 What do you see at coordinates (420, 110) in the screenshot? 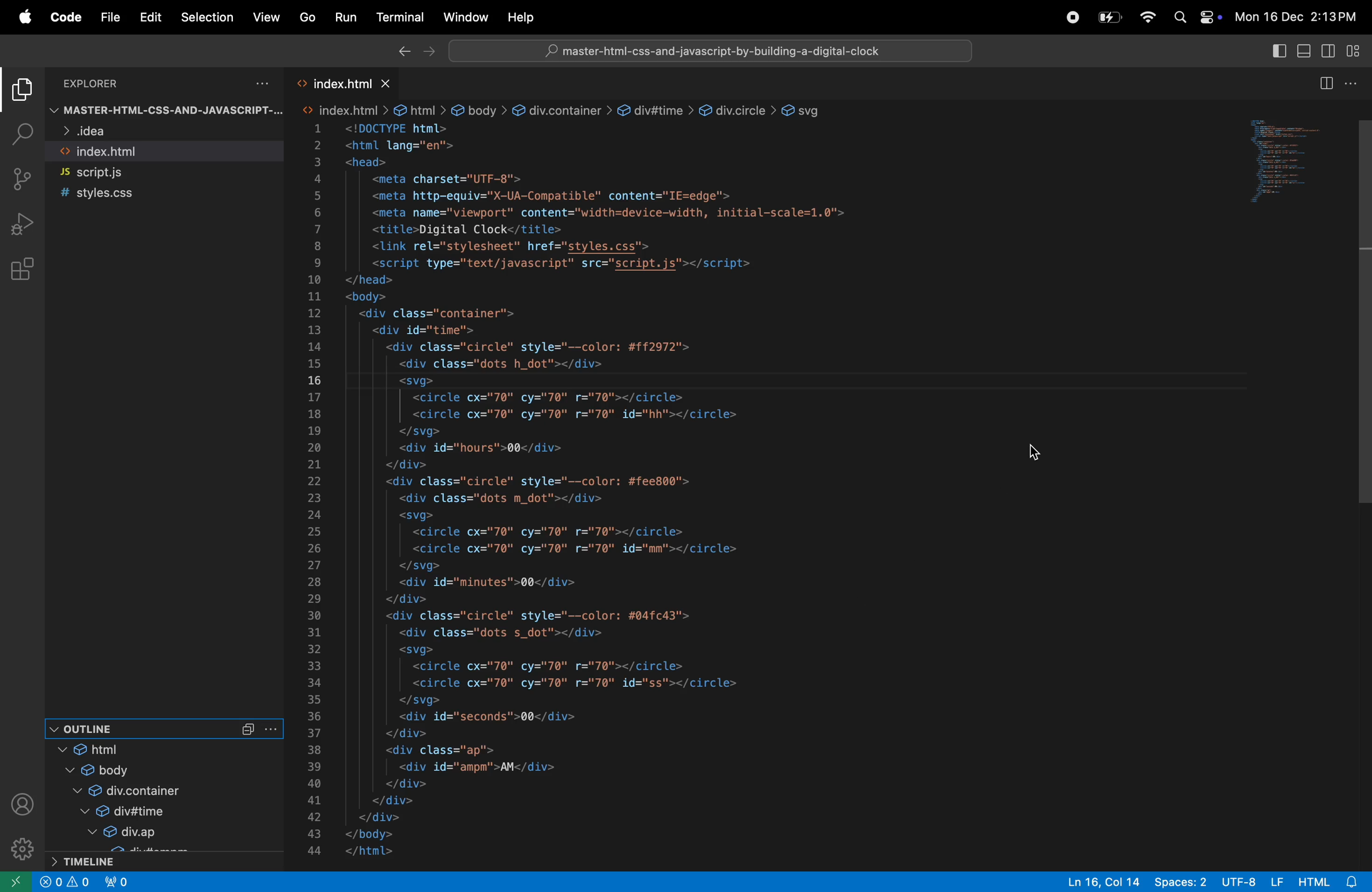
I see `html` at bounding box center [420, 110].